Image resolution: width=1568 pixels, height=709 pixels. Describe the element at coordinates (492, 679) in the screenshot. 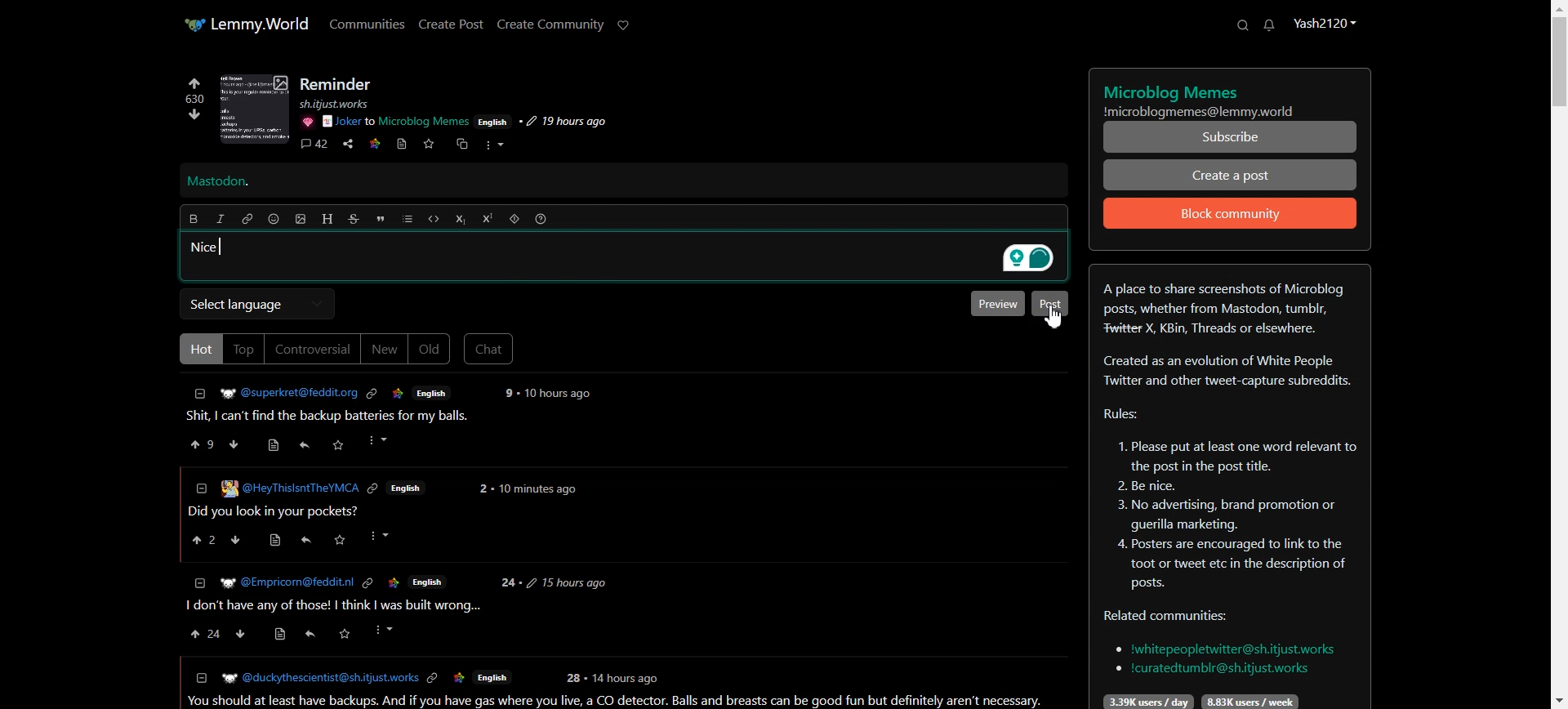

I see `English` at that location.